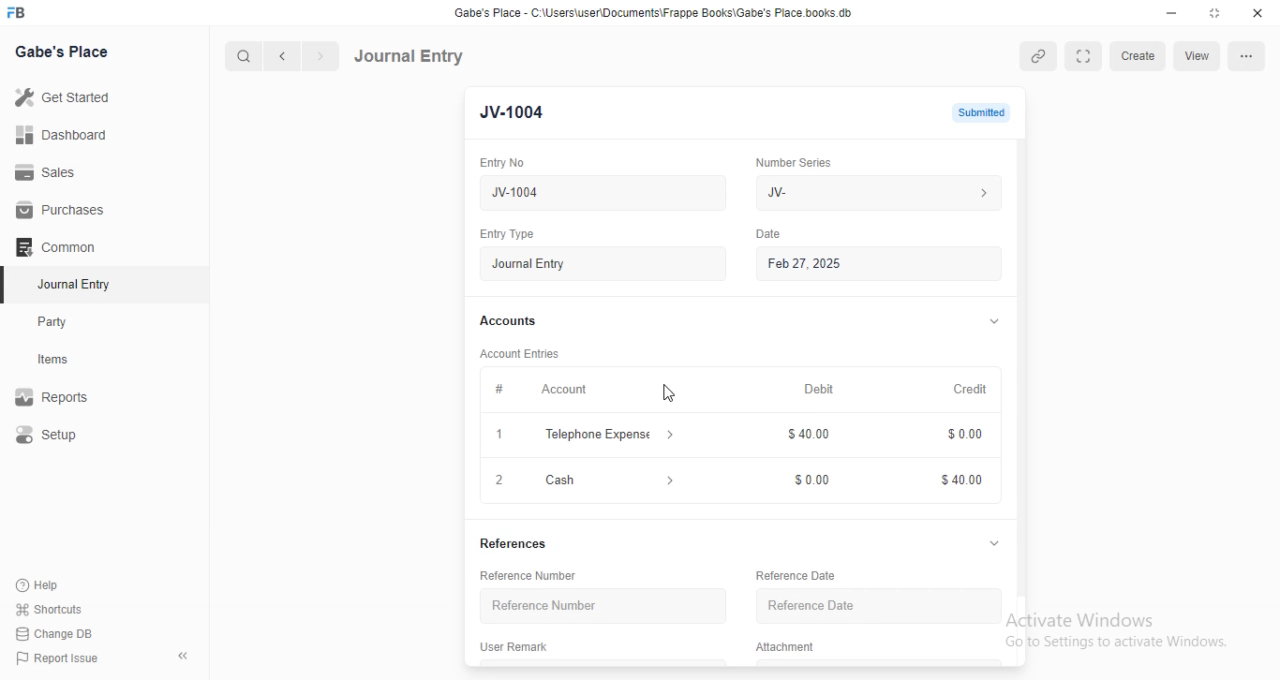 The image size is (1280, 680). What do you see at coordinates (63, 51) in the screenshot?
I see `Gabe's Place` at bounding box center [63, 51].